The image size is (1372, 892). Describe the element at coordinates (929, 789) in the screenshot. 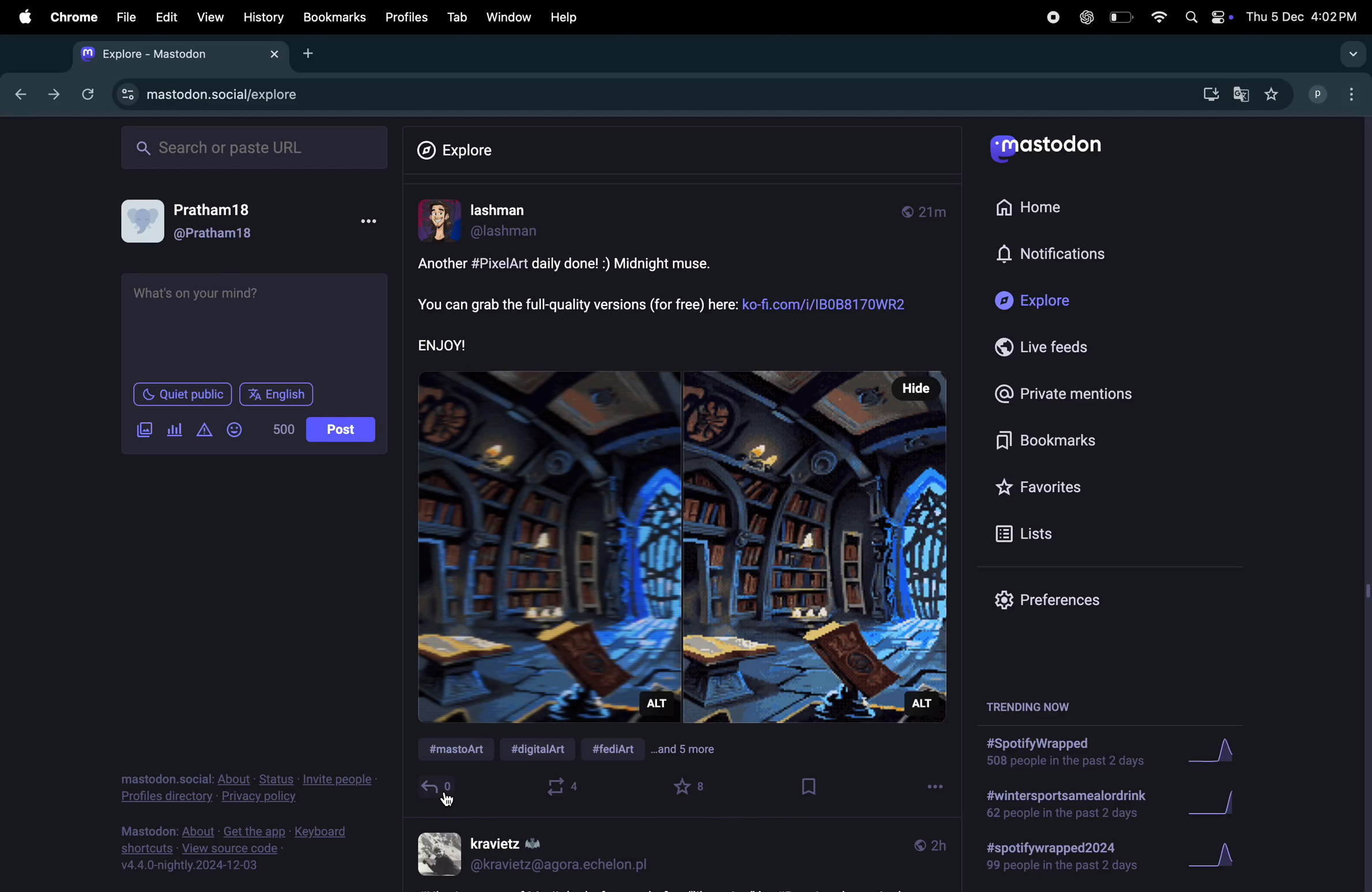

I see `options` at that location.